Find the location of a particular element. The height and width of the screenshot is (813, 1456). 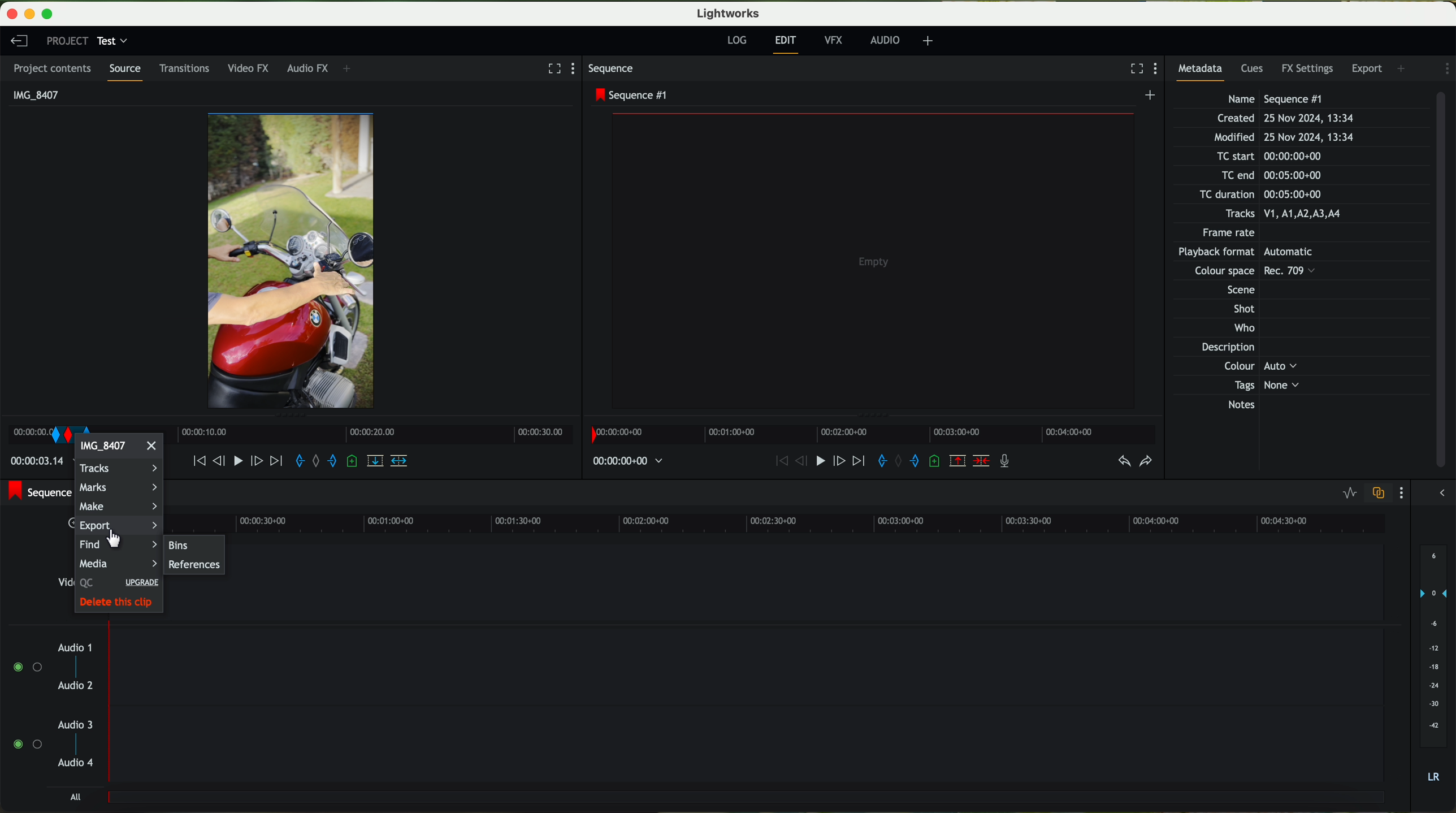

edit is located at coordinates (787, 44).